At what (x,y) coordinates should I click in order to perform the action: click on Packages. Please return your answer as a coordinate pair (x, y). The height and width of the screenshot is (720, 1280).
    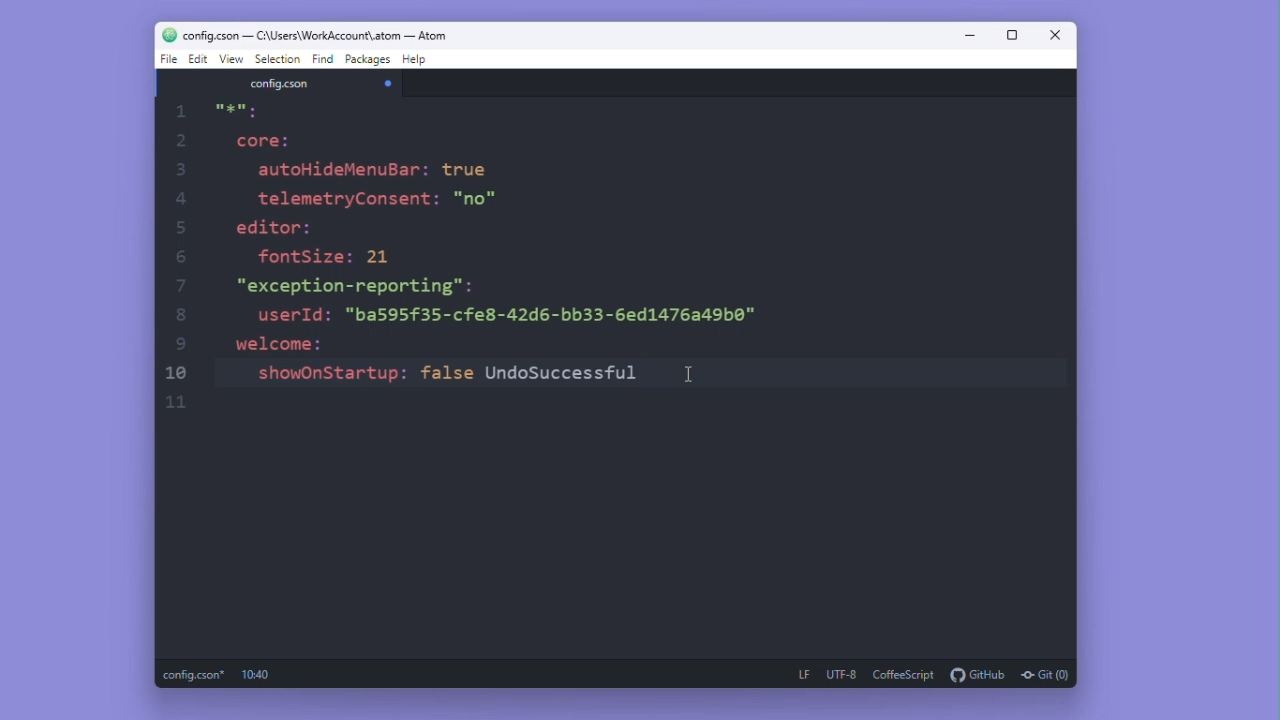
    Looking at the image, I should click on (369, 61).